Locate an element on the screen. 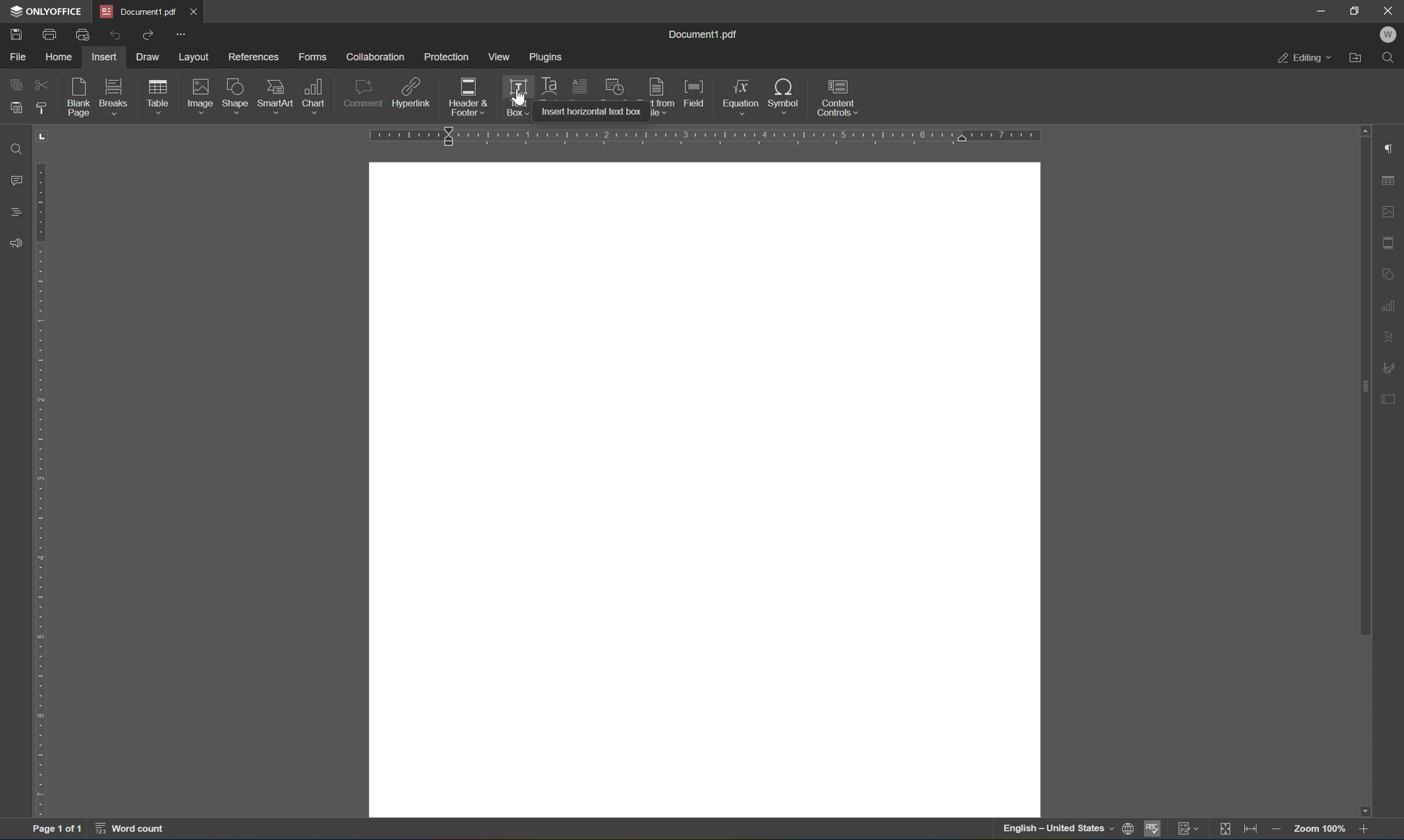 The height and width of the screenshot is (840, 1404). Document1.pdf is located at coordinates (138, 11).